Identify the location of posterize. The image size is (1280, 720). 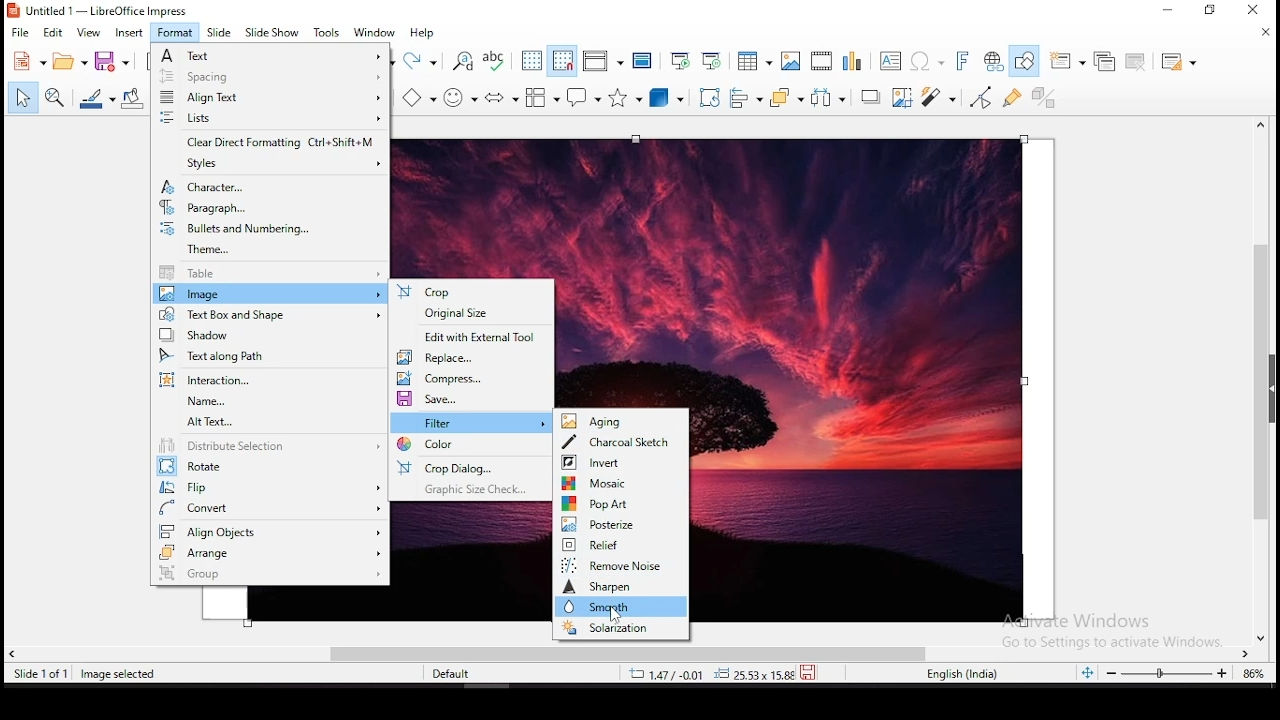
(621, 524).